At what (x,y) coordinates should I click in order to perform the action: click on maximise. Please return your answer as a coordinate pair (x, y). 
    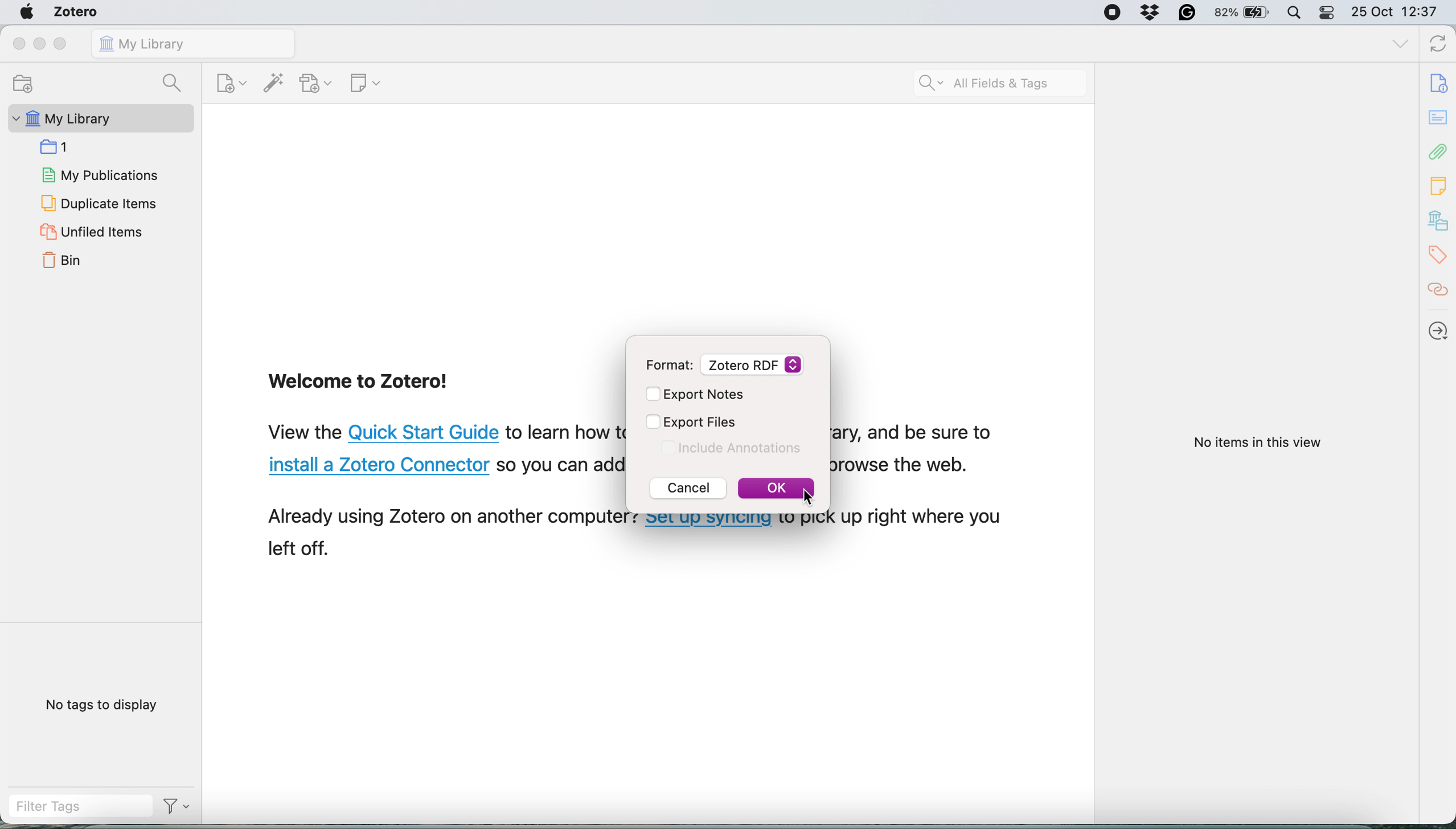
    Looking at the image, I should click on (63, 44).